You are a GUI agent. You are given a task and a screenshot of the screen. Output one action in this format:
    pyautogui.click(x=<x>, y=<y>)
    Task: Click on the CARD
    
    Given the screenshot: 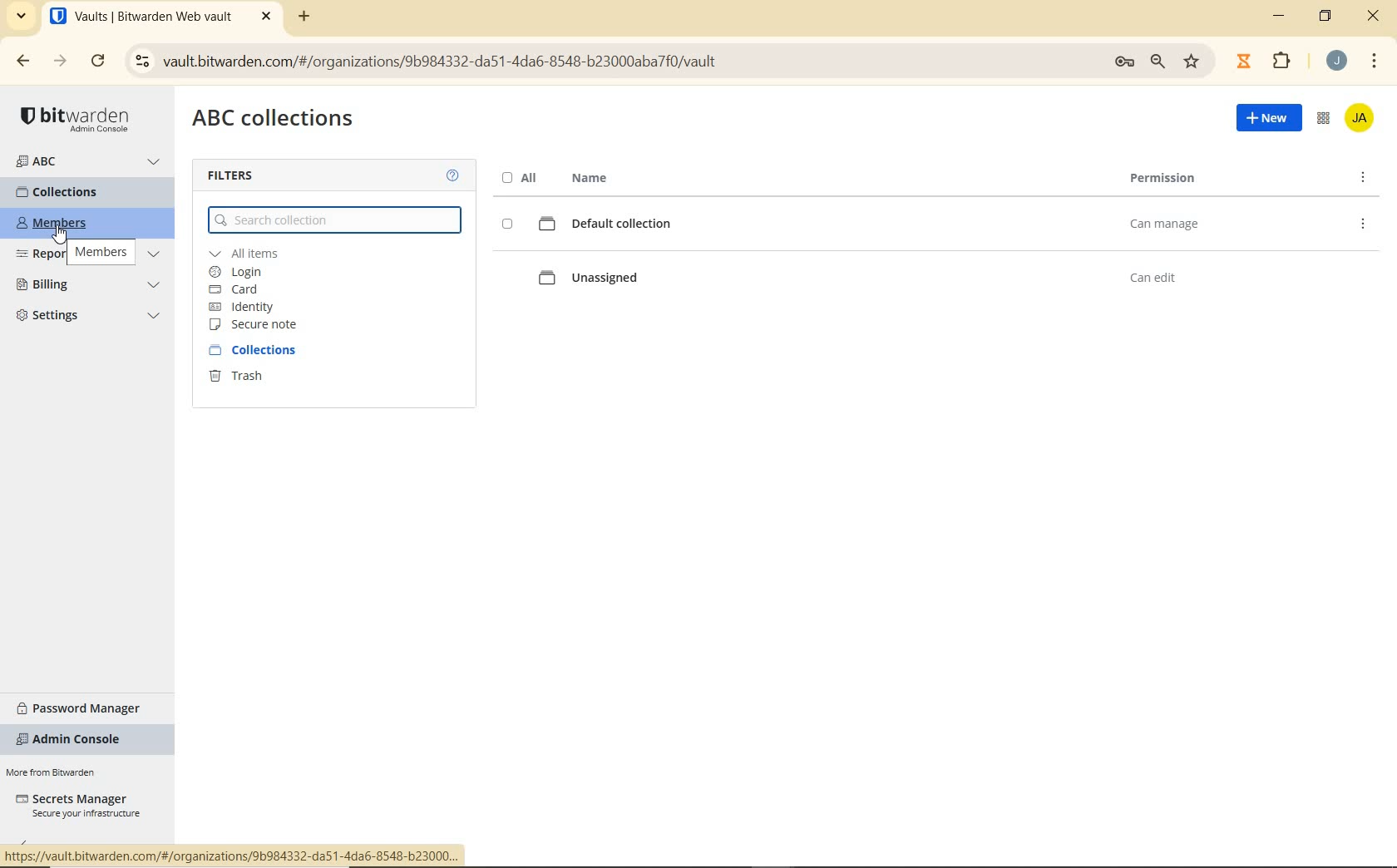 What is the action you would take?
    pyautogui.click(x=244, y=289)
    